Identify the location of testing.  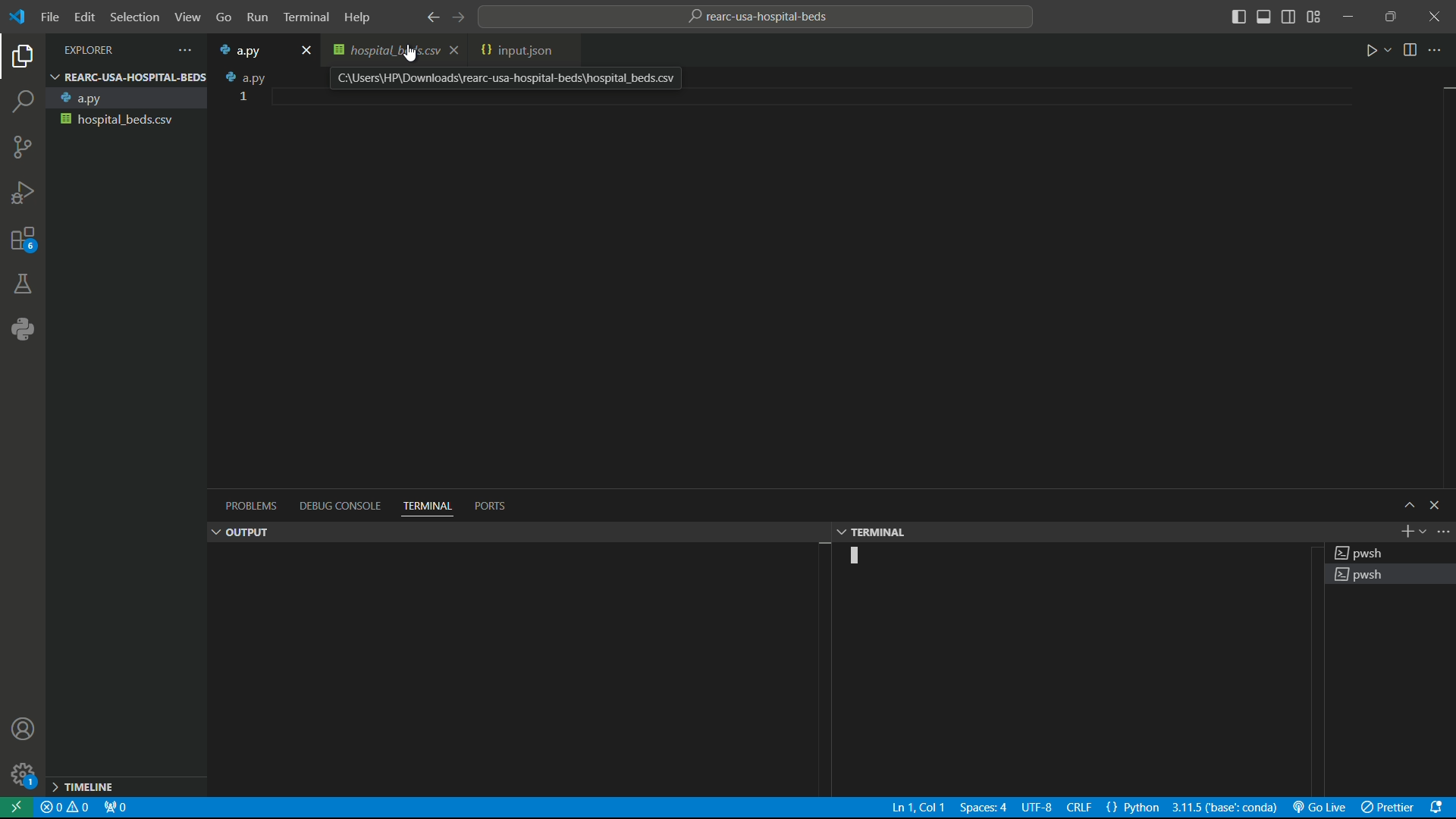
(22, 283).